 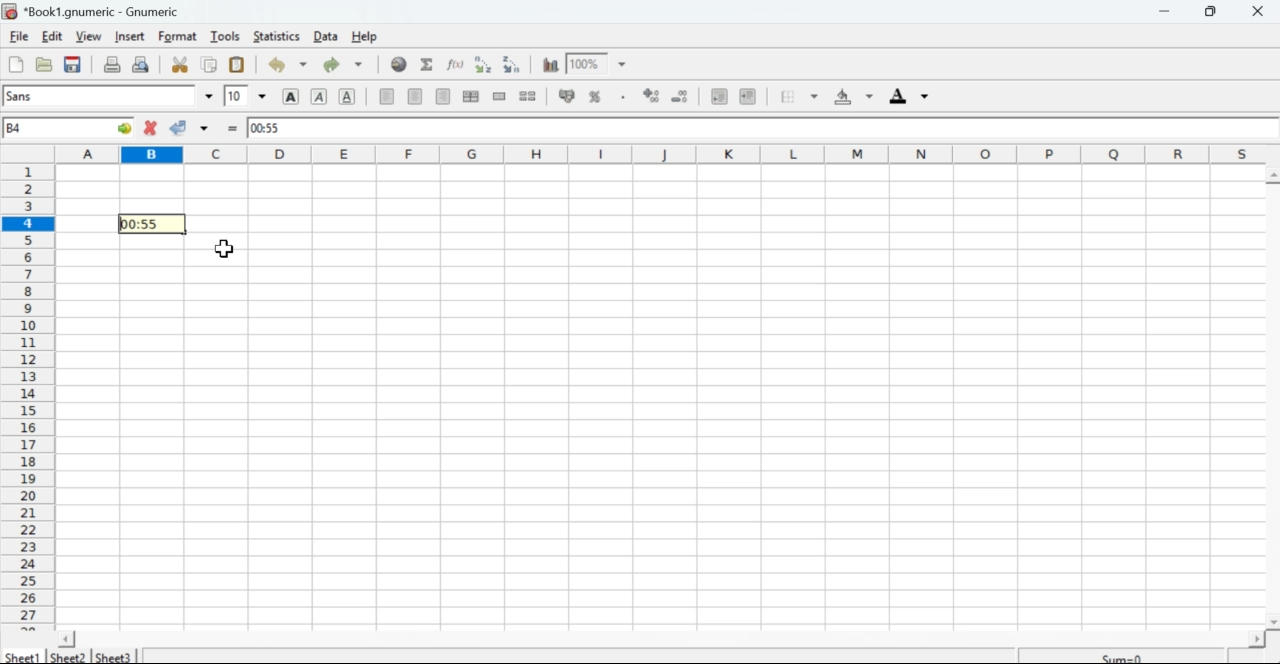 What do you see at coordinates (851, 97) in the screenshot?
I see `Cell color` at bounding box center [851, 97].